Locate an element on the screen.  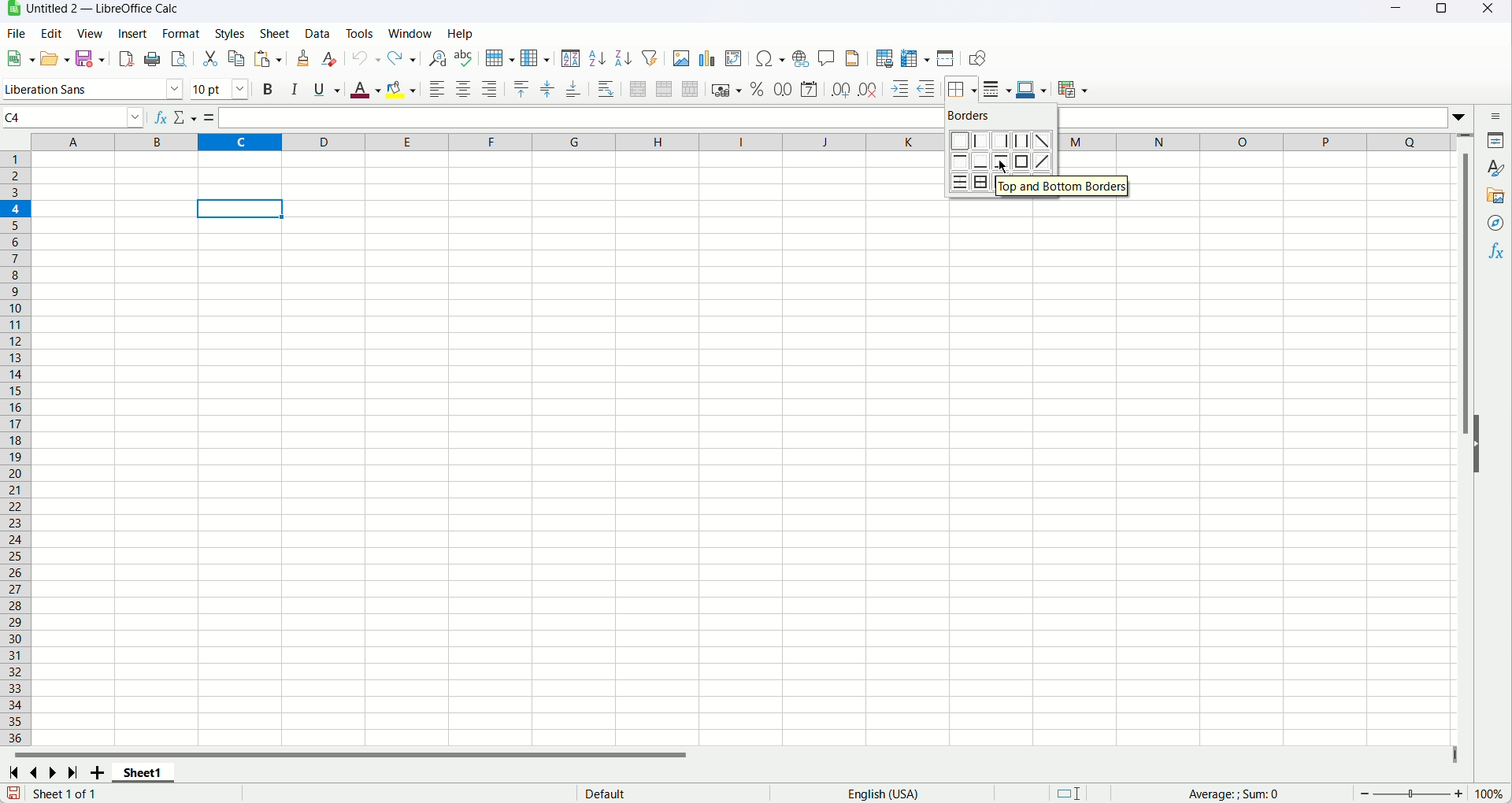
Align left is located at coordinates (437, 89).